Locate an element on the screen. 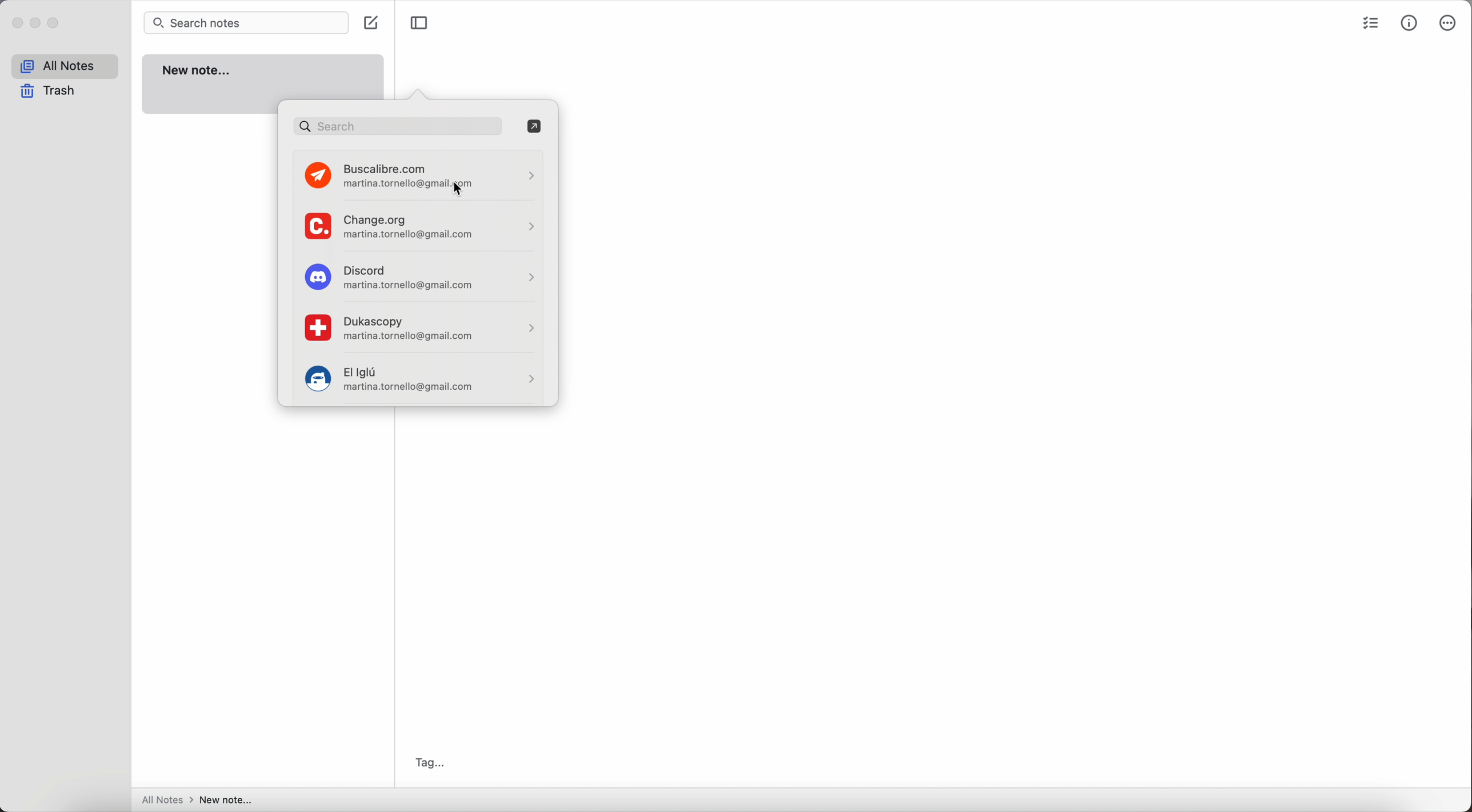  more options is located at coordinates (1449, 24).